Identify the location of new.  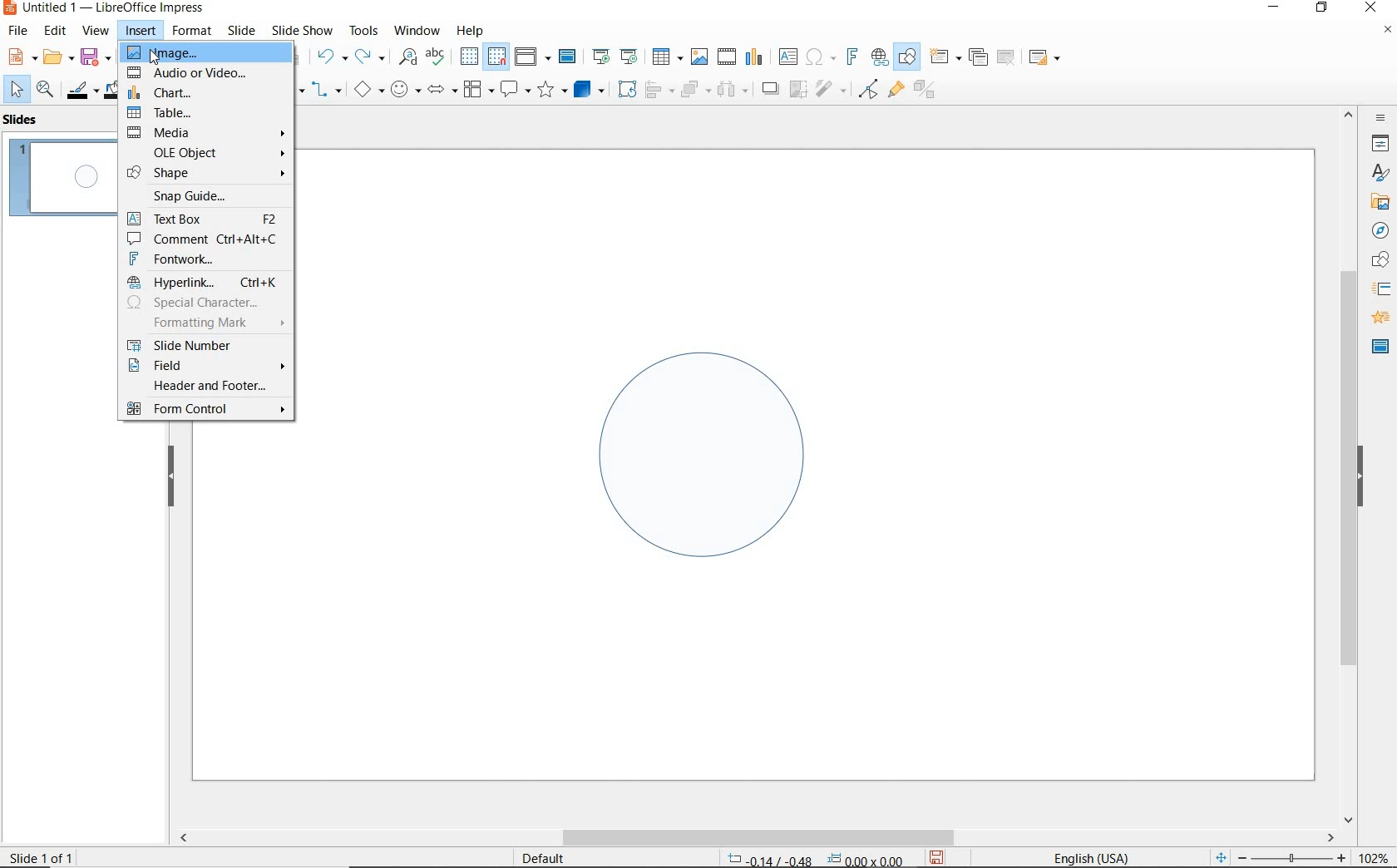
(20, 56).